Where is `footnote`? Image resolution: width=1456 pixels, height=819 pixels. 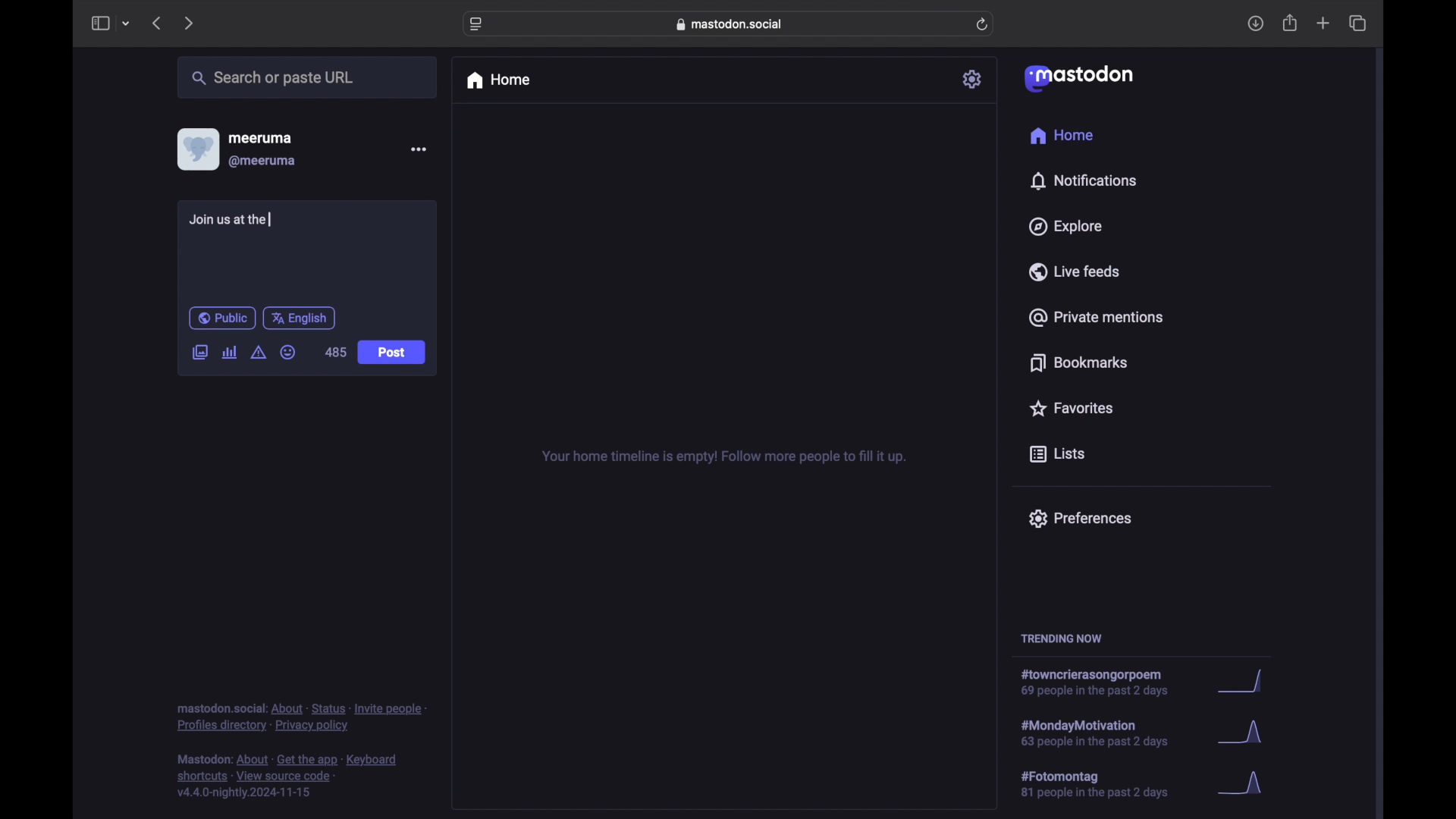
footnote is located at coordinates (290, 777).